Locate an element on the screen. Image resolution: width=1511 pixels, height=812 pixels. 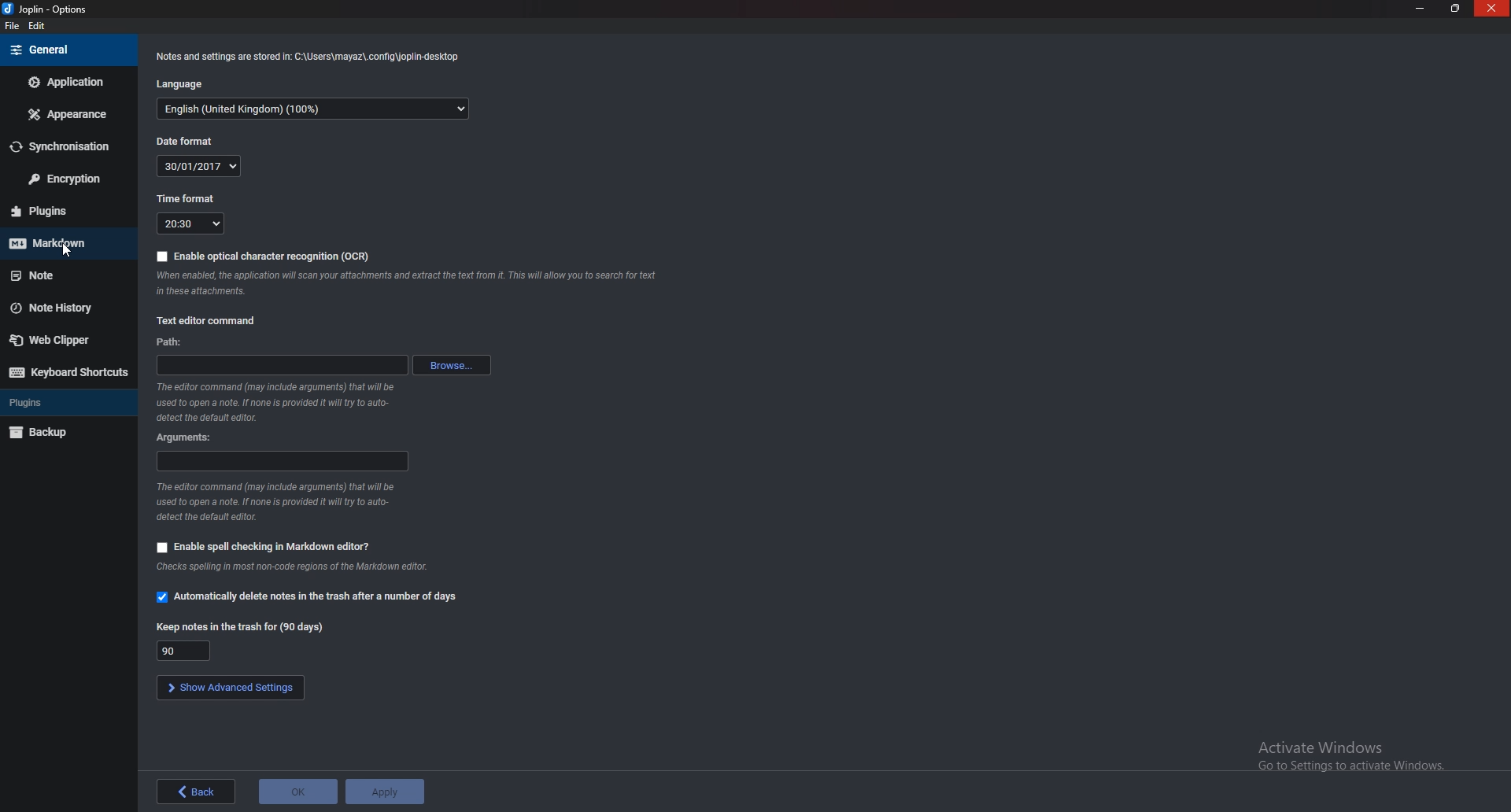
Minimize is located at coordinates (1422, 8).